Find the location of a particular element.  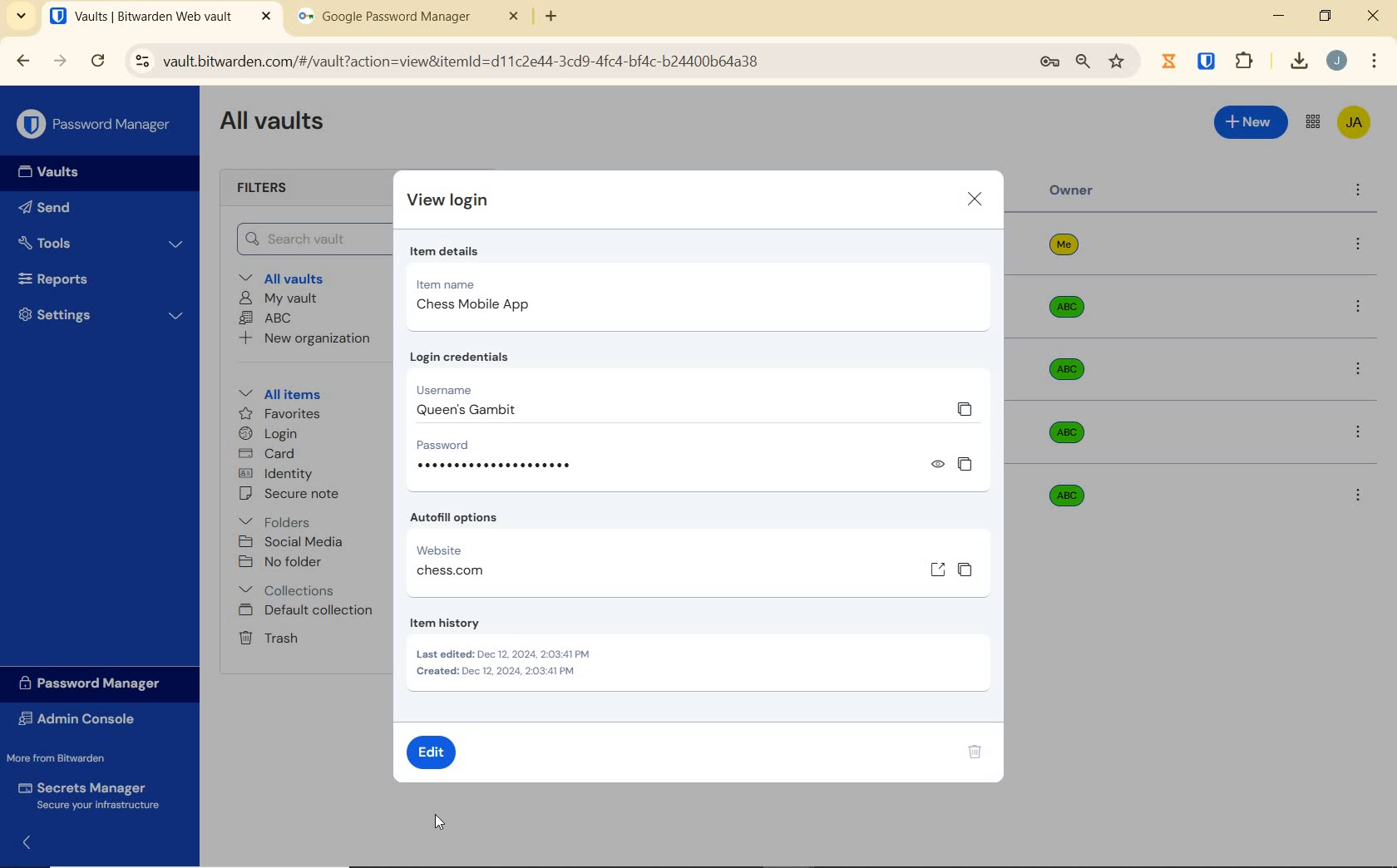

Owner organization is located at coordinates (1070, 315).